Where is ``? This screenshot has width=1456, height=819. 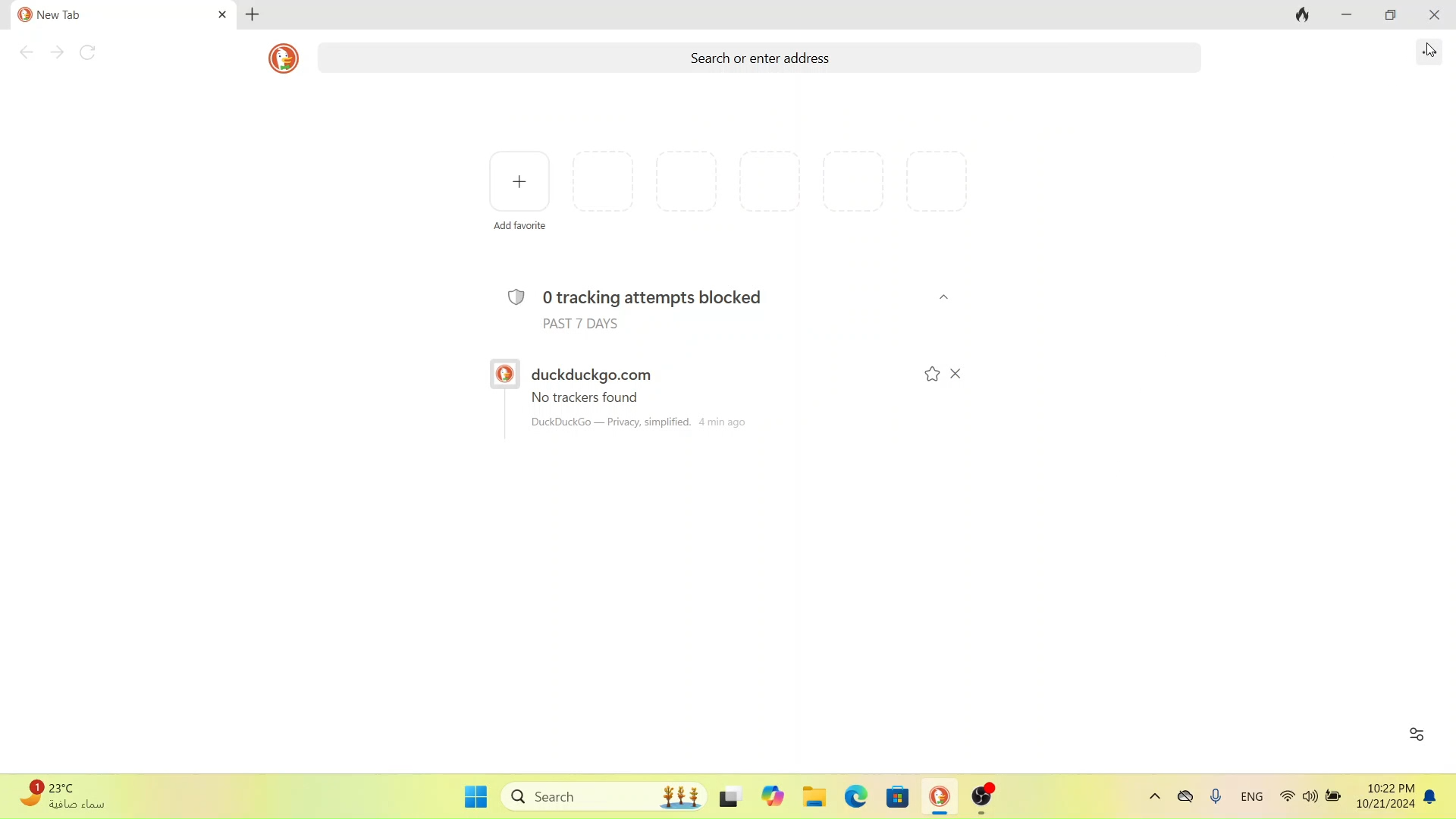
 is located at coordinates (1304, 17).